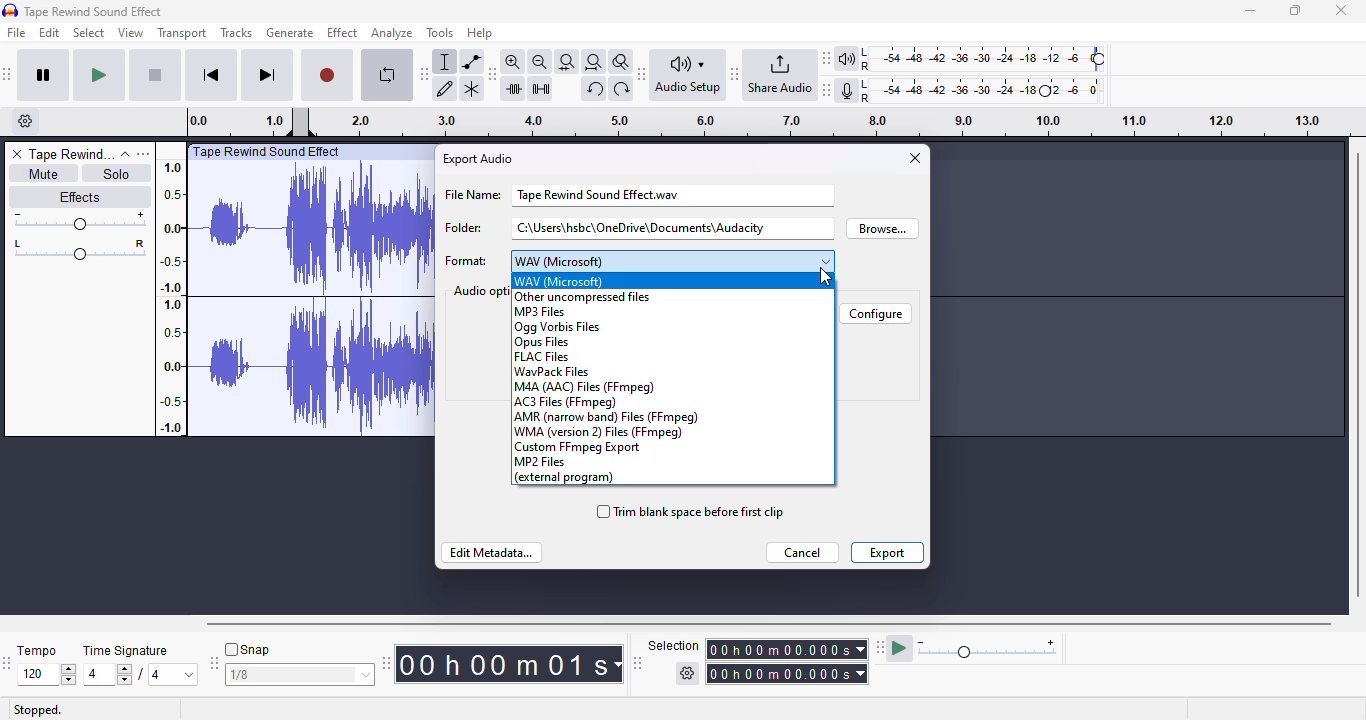  I want to click on timeline options, so click(26, 121).